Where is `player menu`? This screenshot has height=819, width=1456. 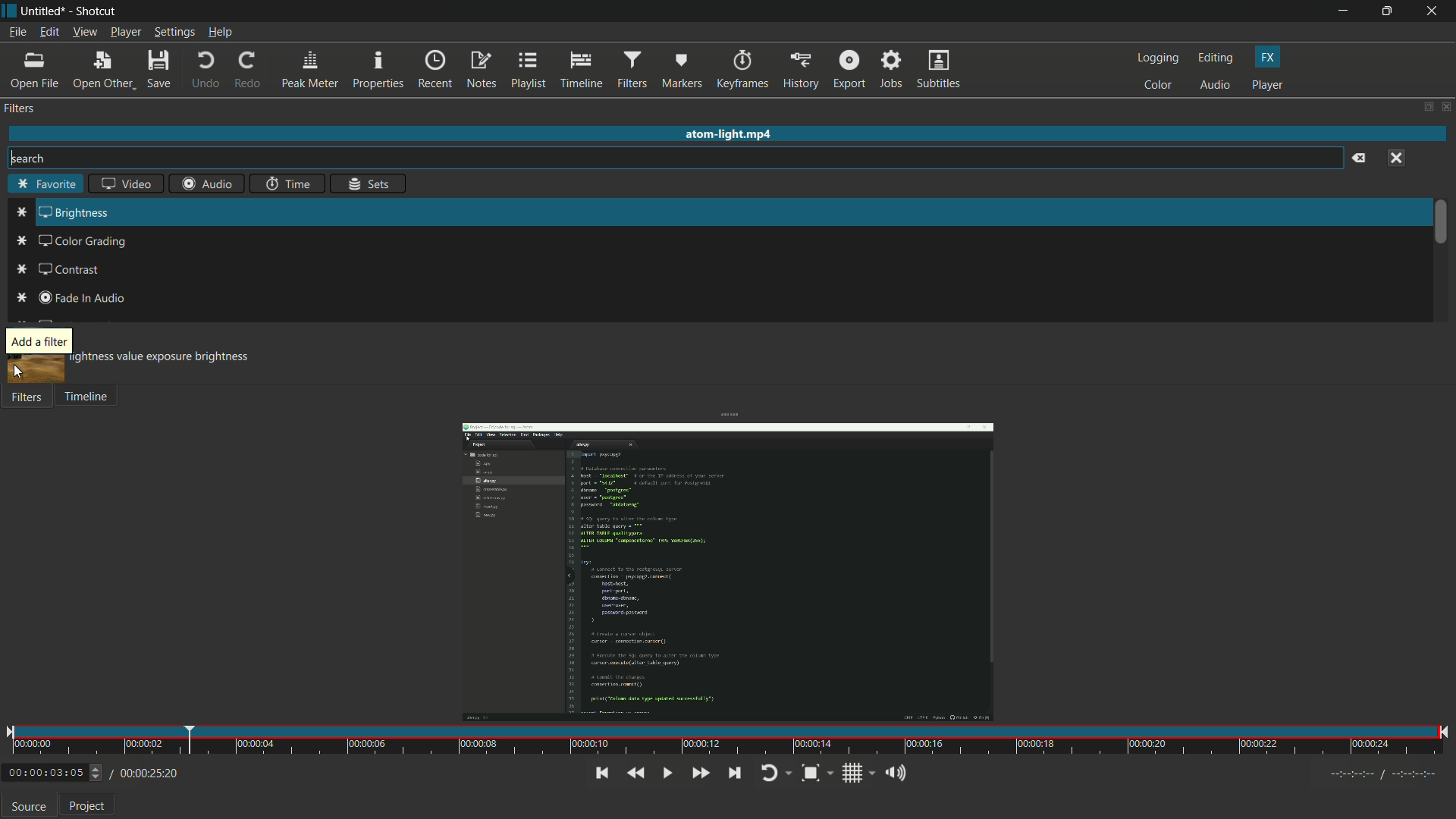 player menu is located at coordinates (126, 33).